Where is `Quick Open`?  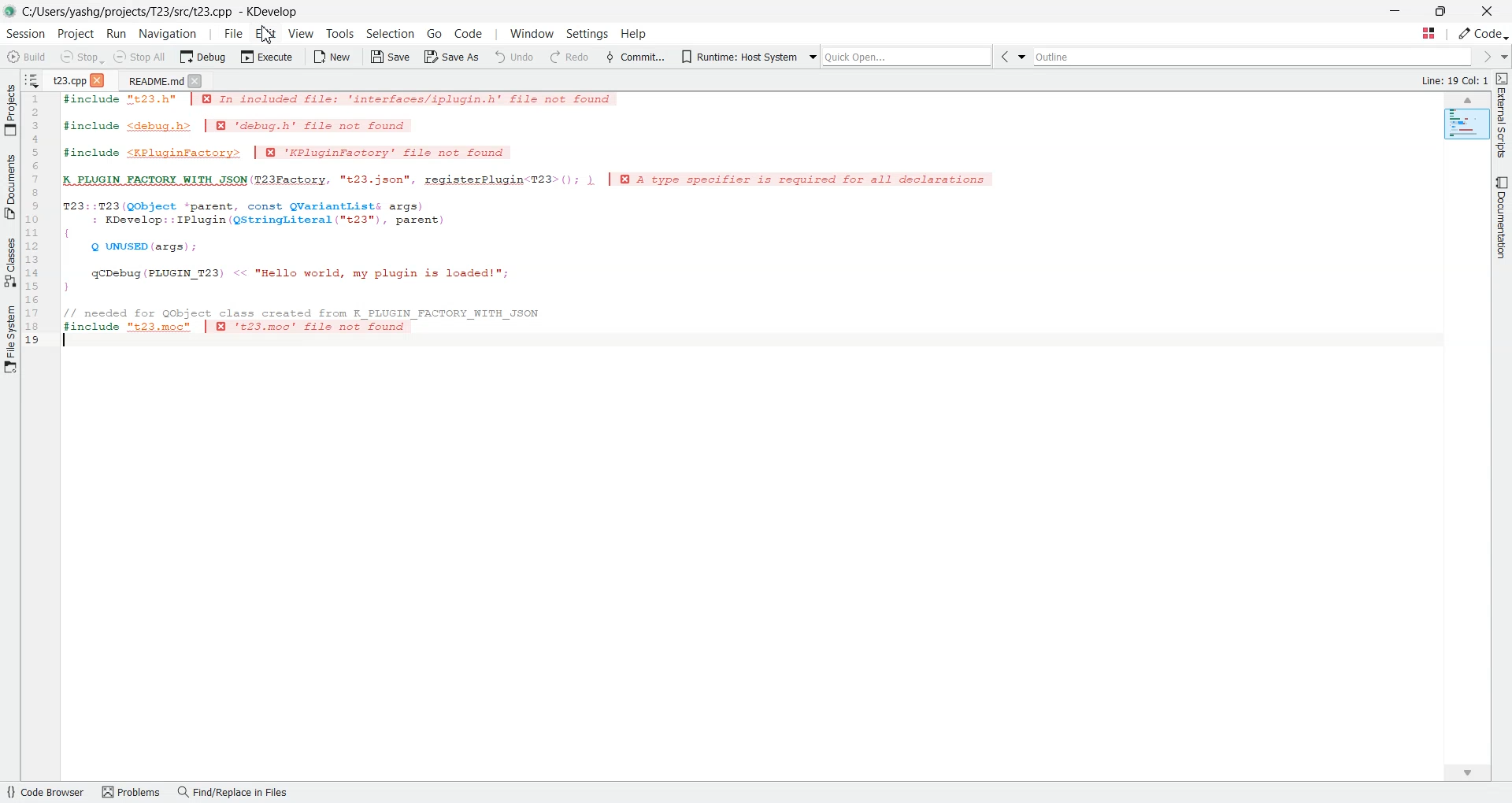 Quick Open is located at coordinates (1428, 34).